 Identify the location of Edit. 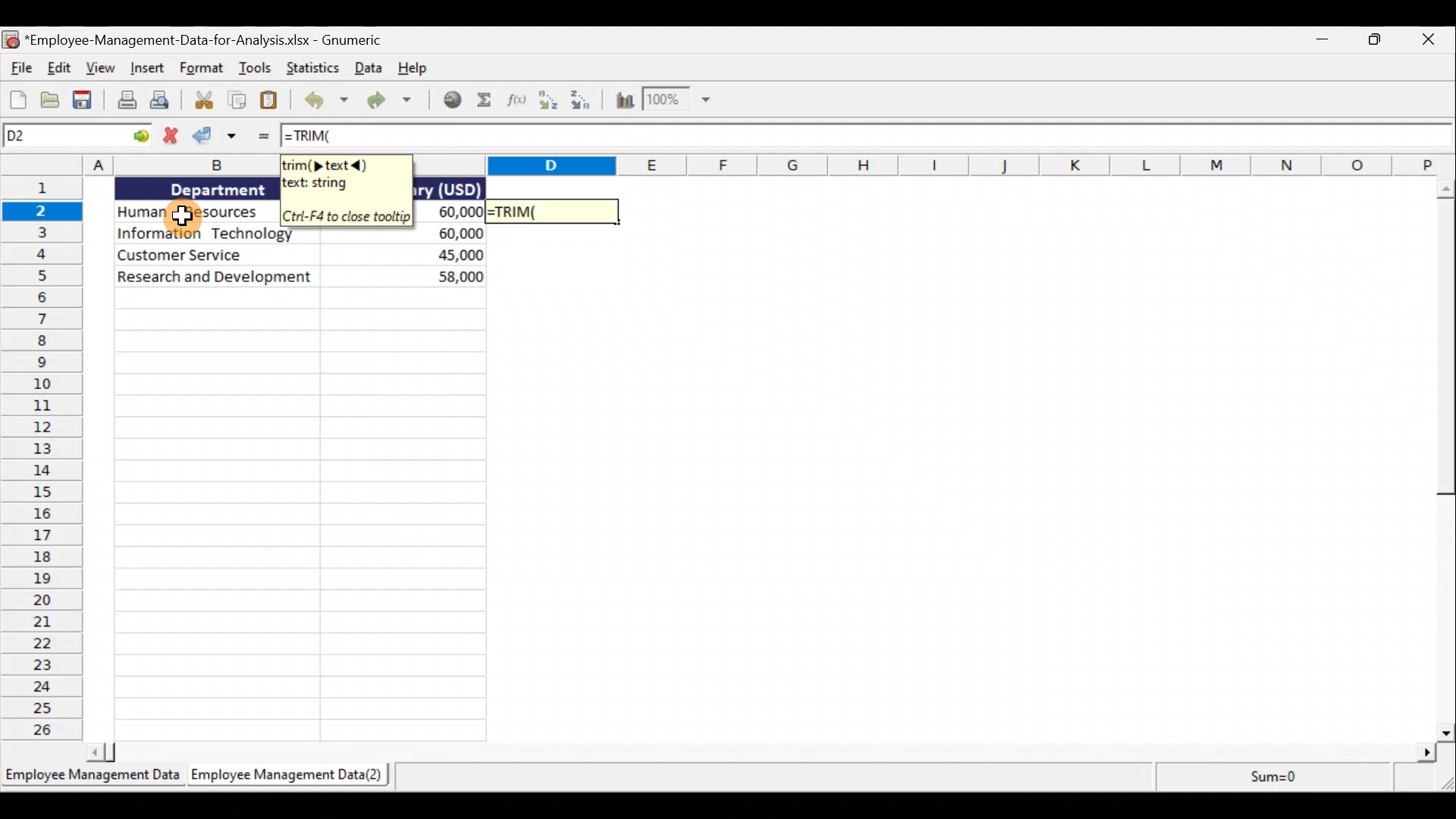
(57, 66).